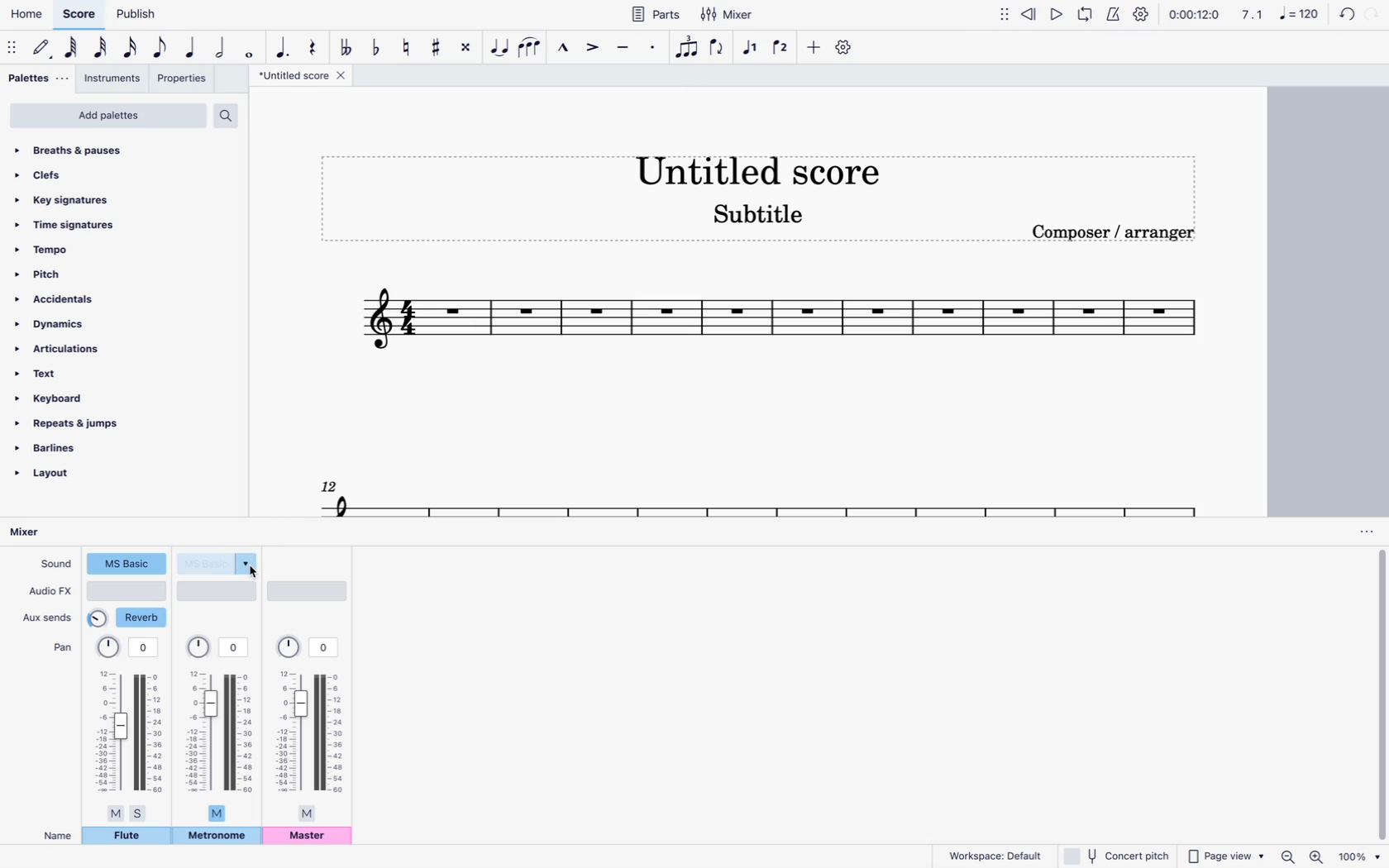 This screenshot has width=1389, height=868. What do you see at coordinates (1056, 14) in the screenshot?
I see `play` at bounding box center [1056, 14].